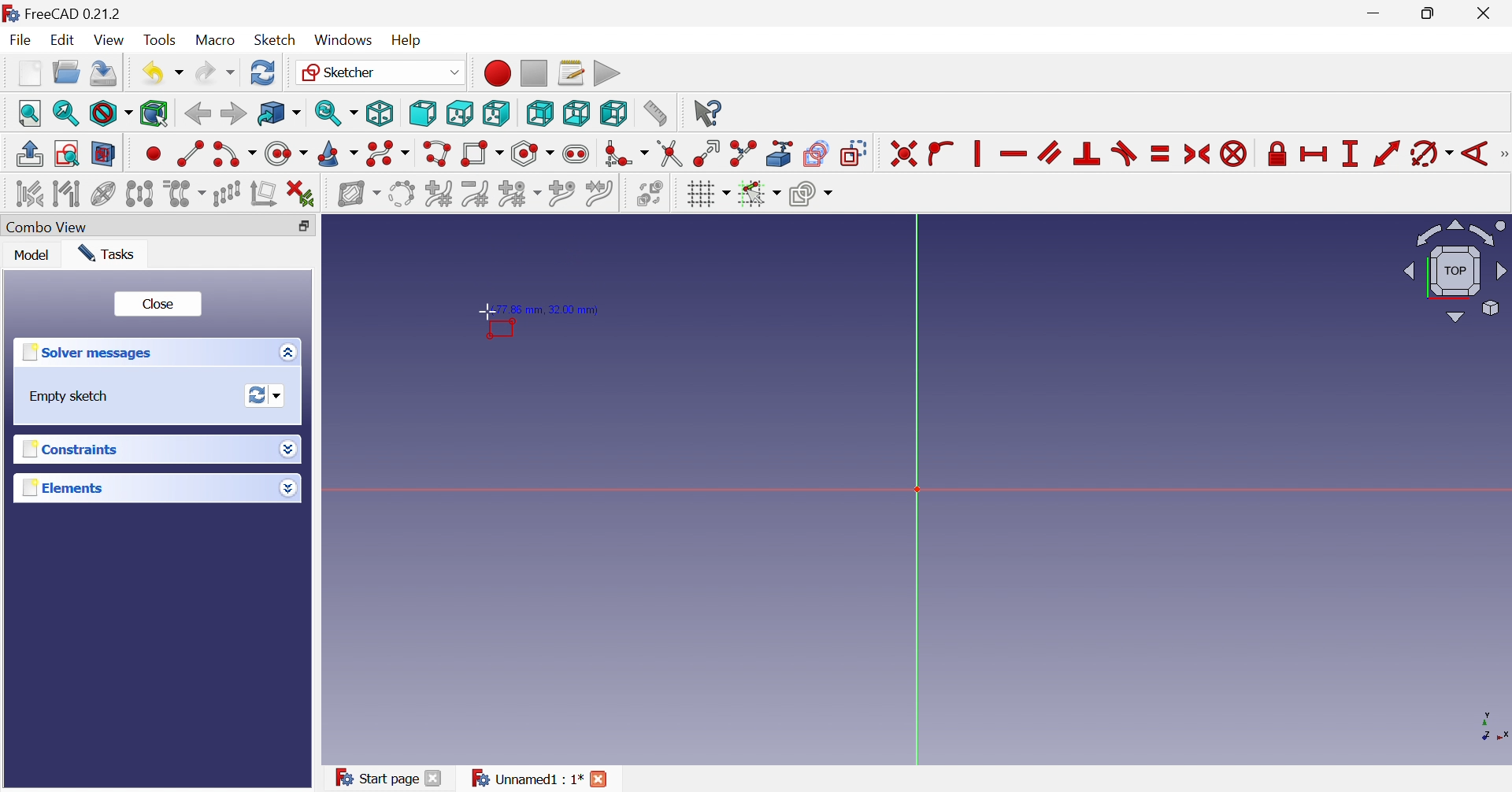  Describe the element at coordinates (571, 72) in the screenshot. I see `Macros...` at that location.